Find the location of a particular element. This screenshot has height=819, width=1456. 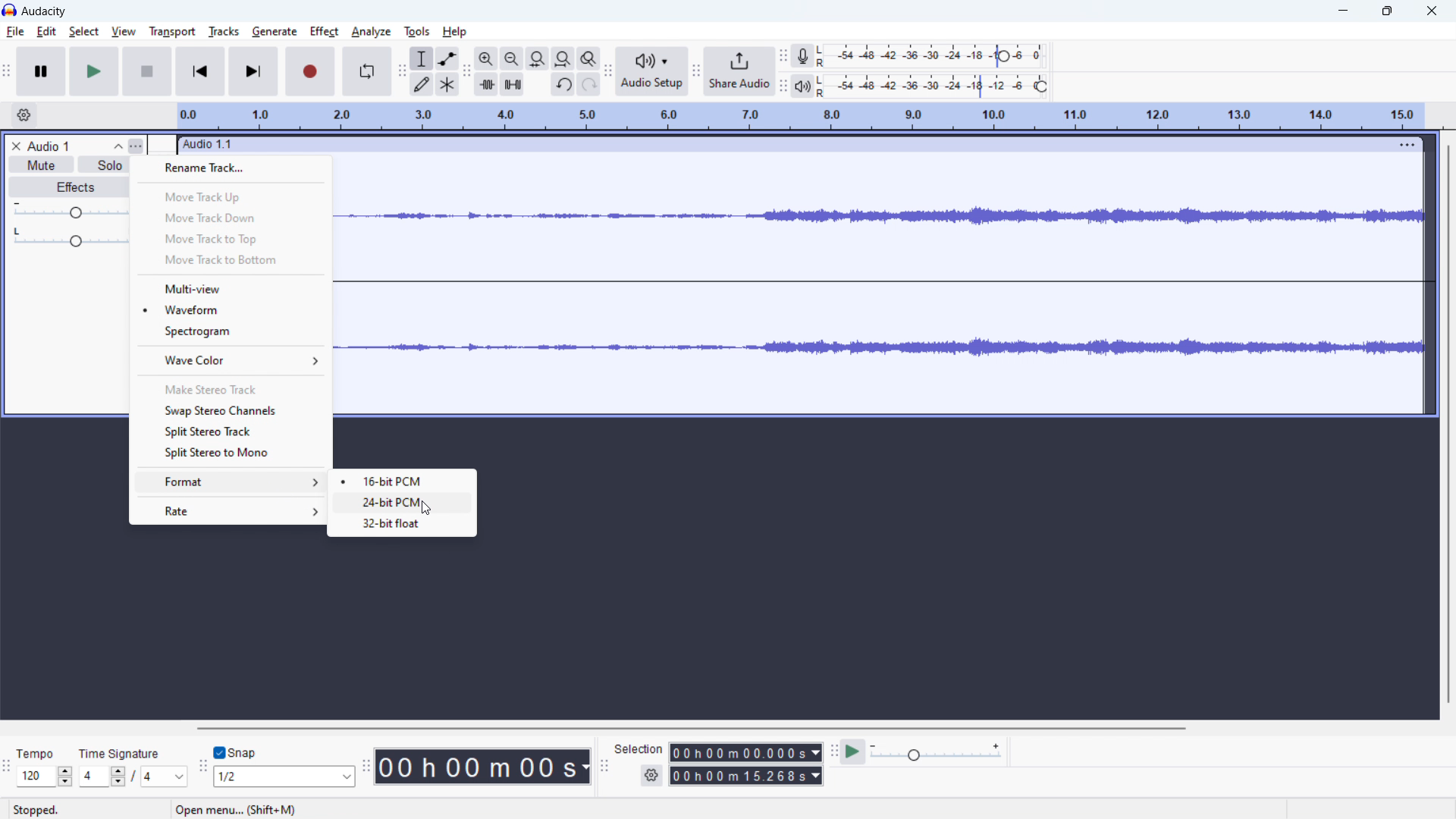

playback speed is located at coordinates (937, 751).